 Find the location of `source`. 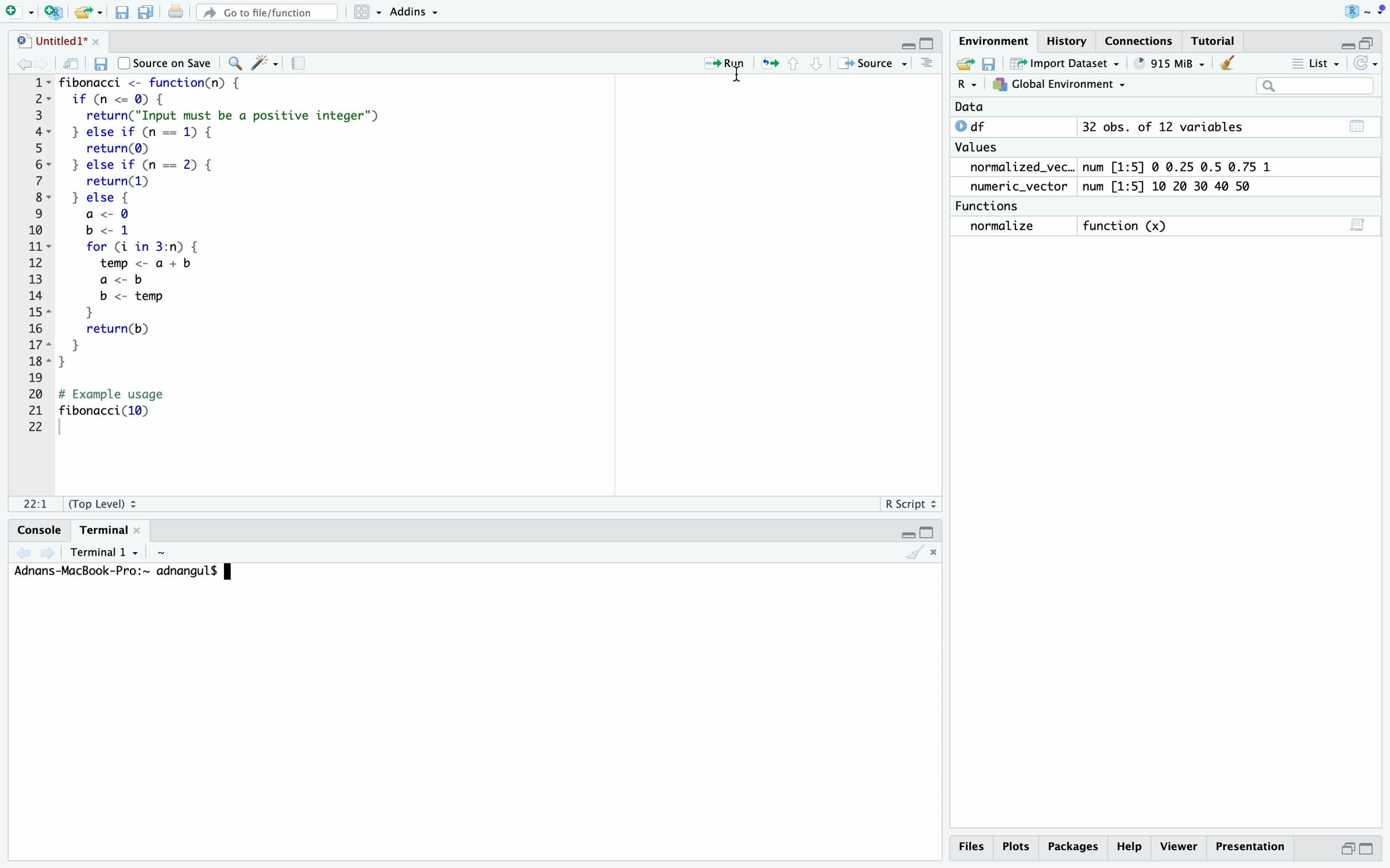

source is located at coordinates (872, 63).